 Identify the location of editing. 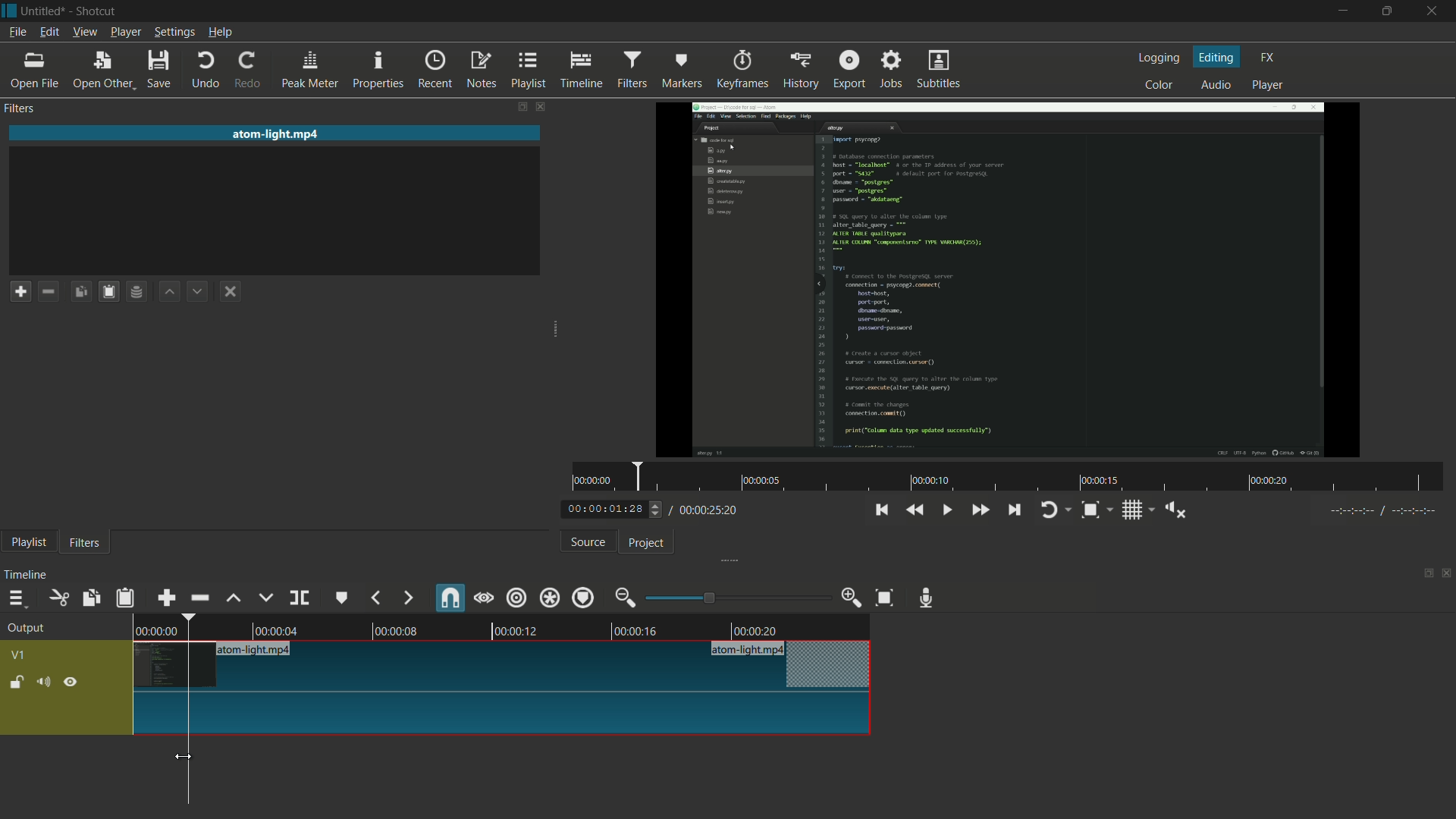
(1217, 56).